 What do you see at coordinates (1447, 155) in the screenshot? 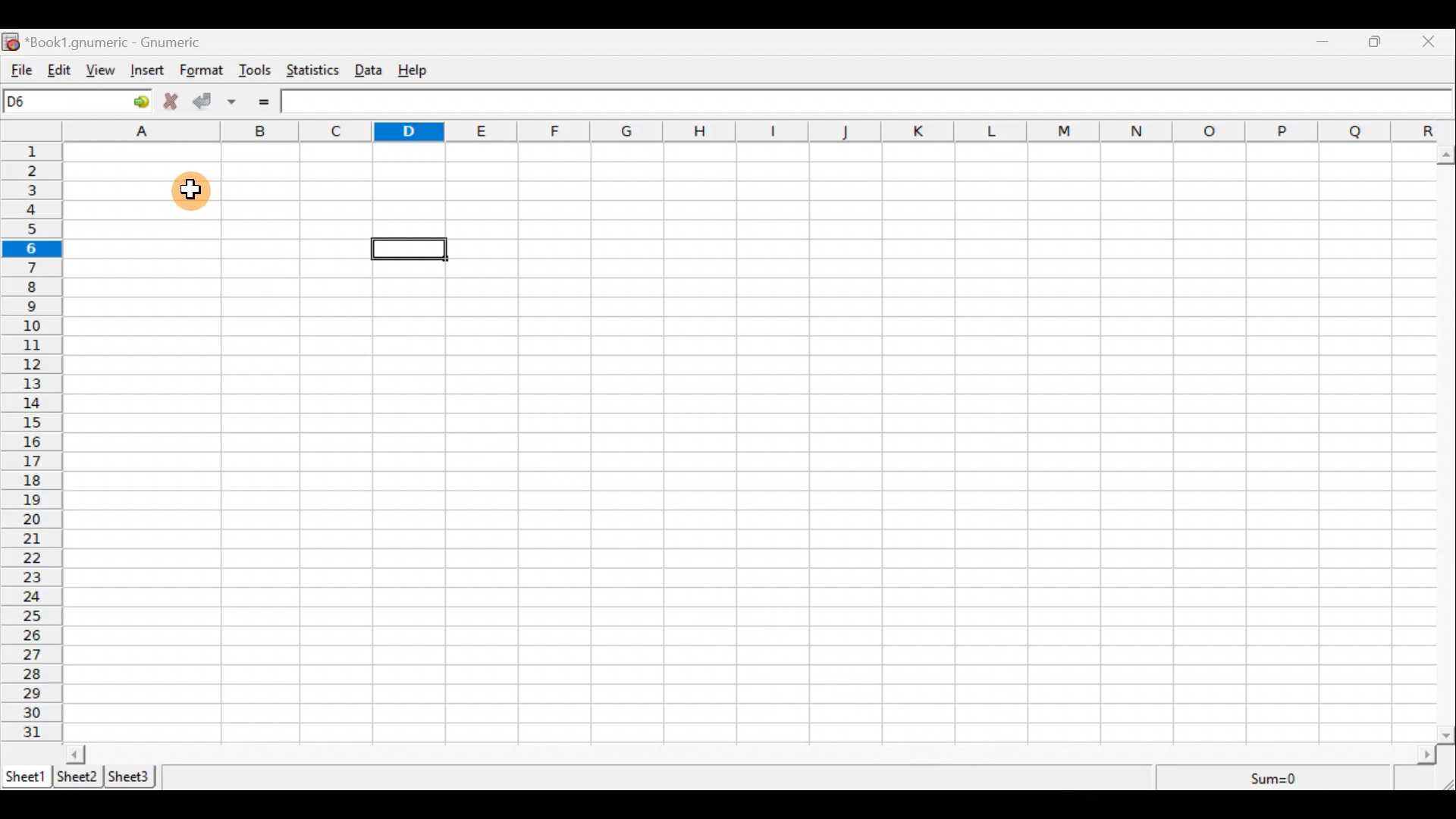
I see `scroll up` at bounding box center [1447, 155].